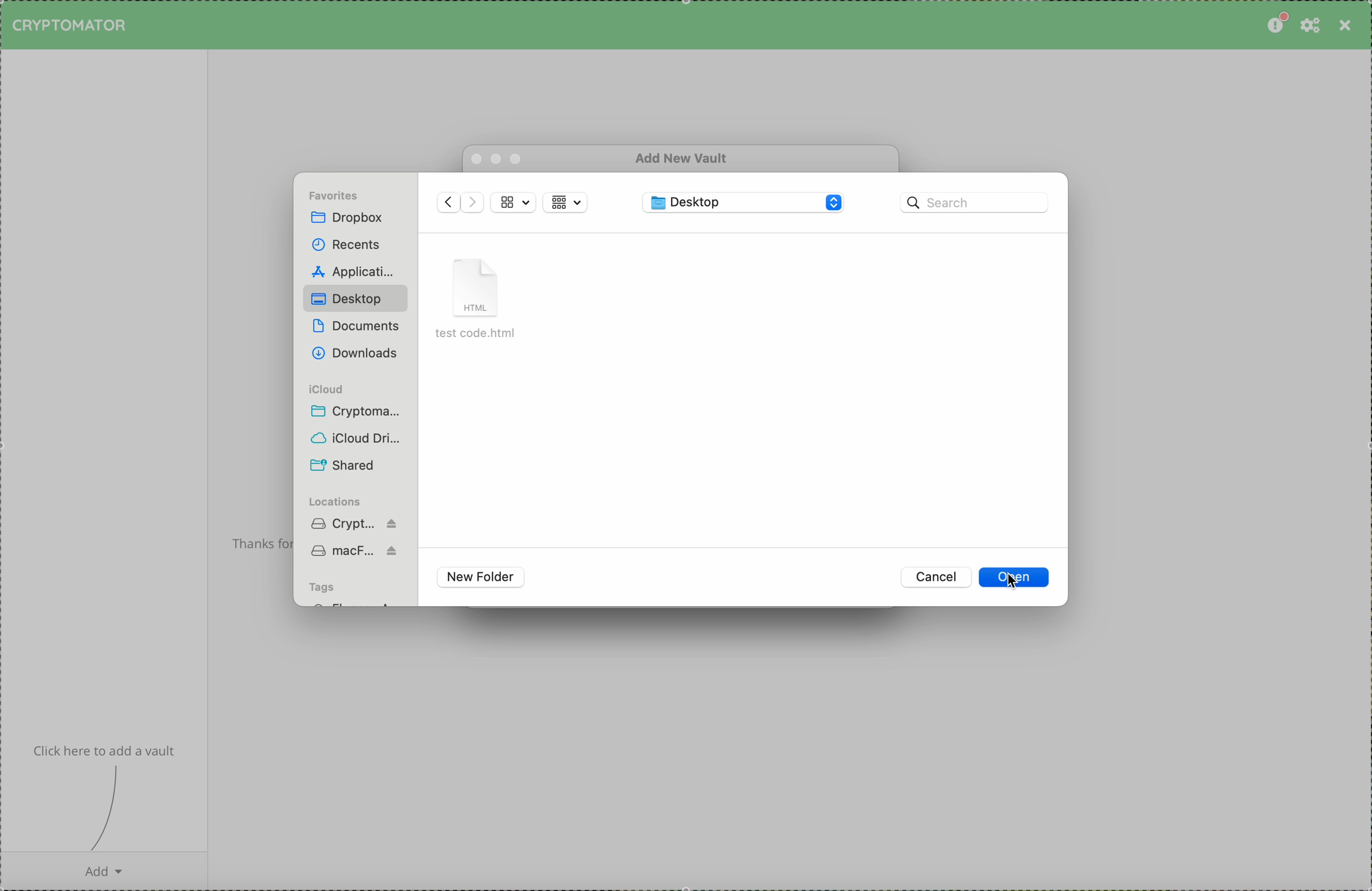  Describe the element at coordinates (566, 202) in the screenshot. I see `view` at that location.